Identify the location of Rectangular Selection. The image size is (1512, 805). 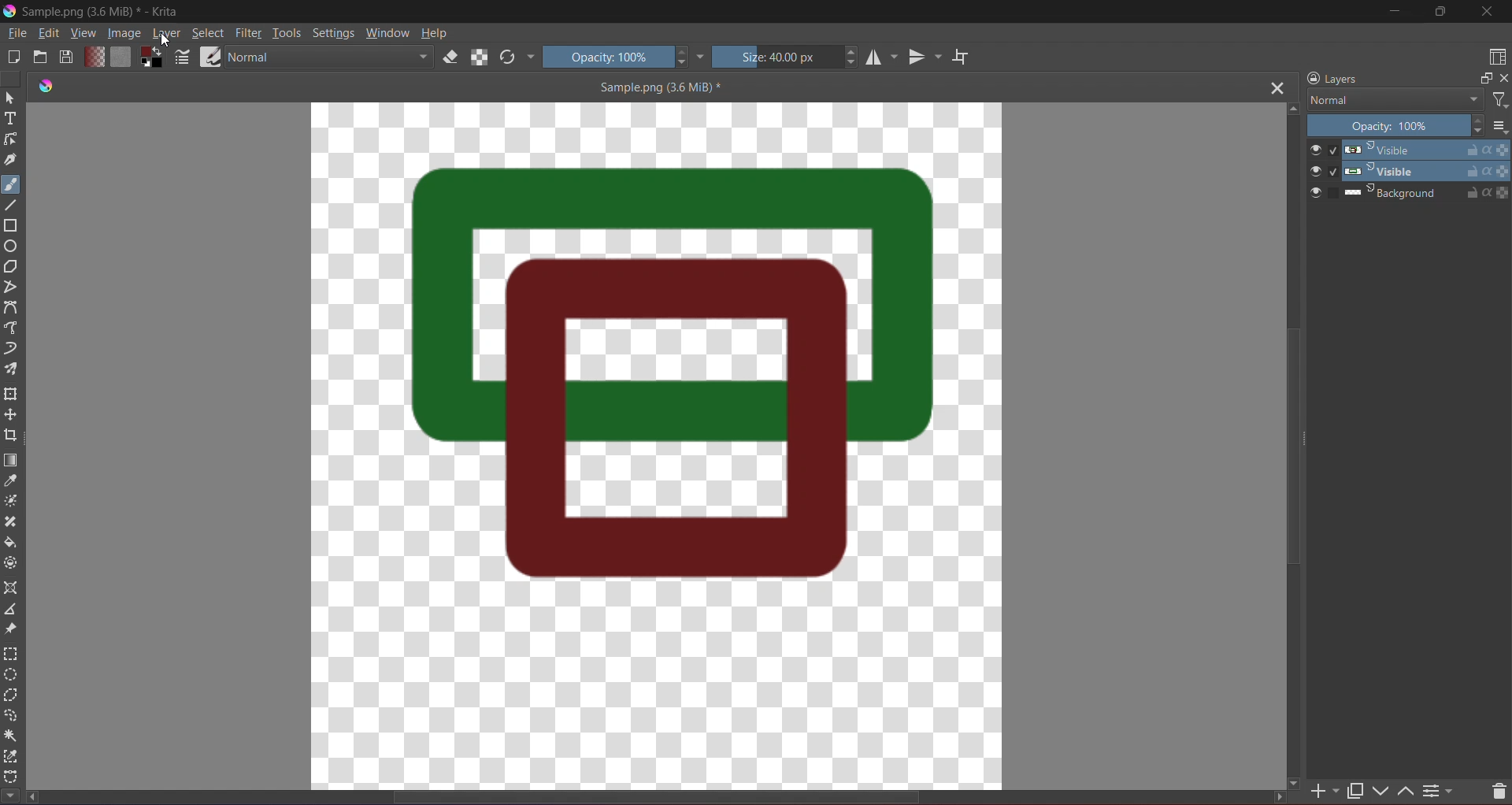
(11, 653).